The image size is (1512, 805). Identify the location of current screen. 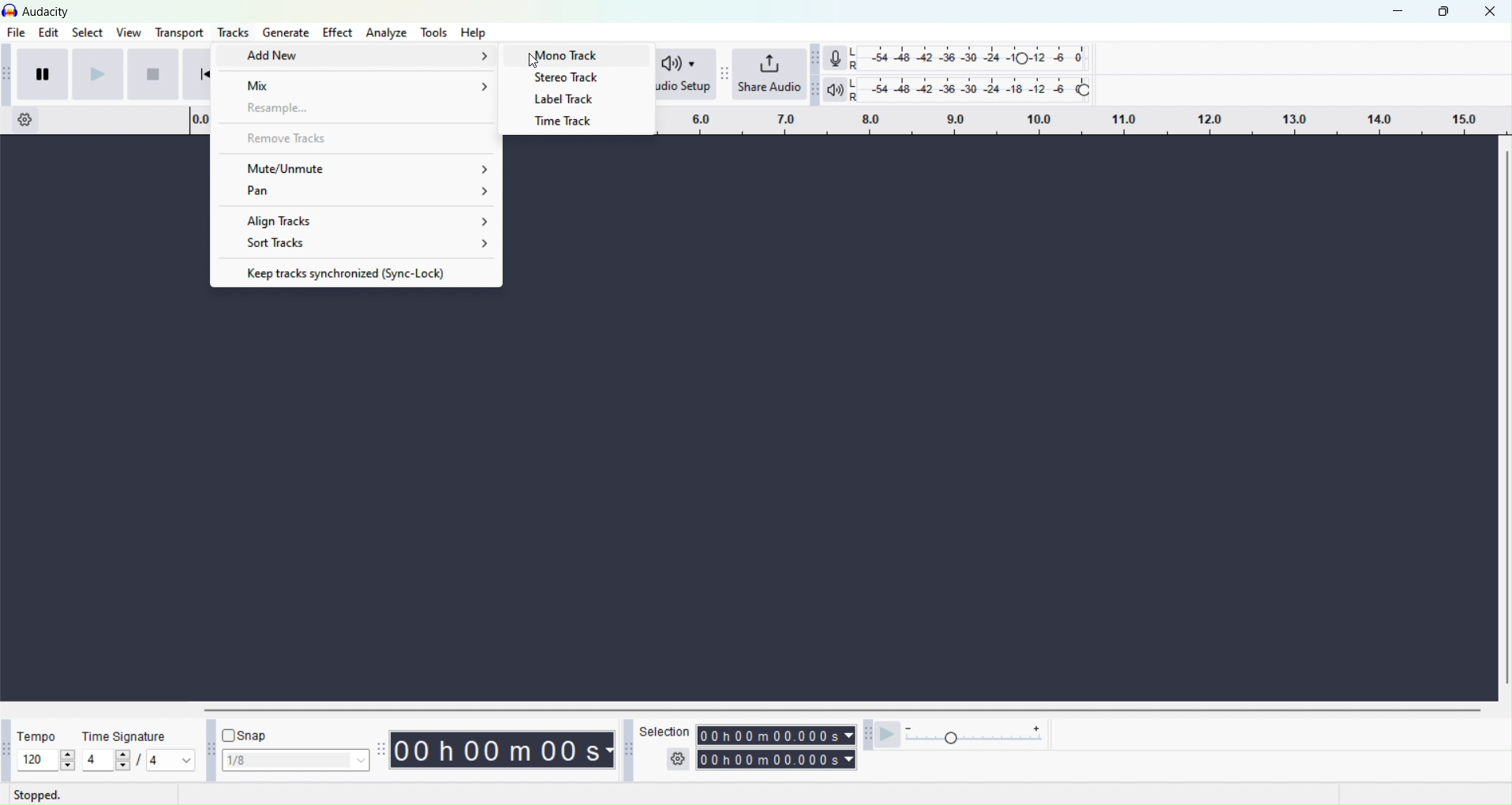
(738, 496).